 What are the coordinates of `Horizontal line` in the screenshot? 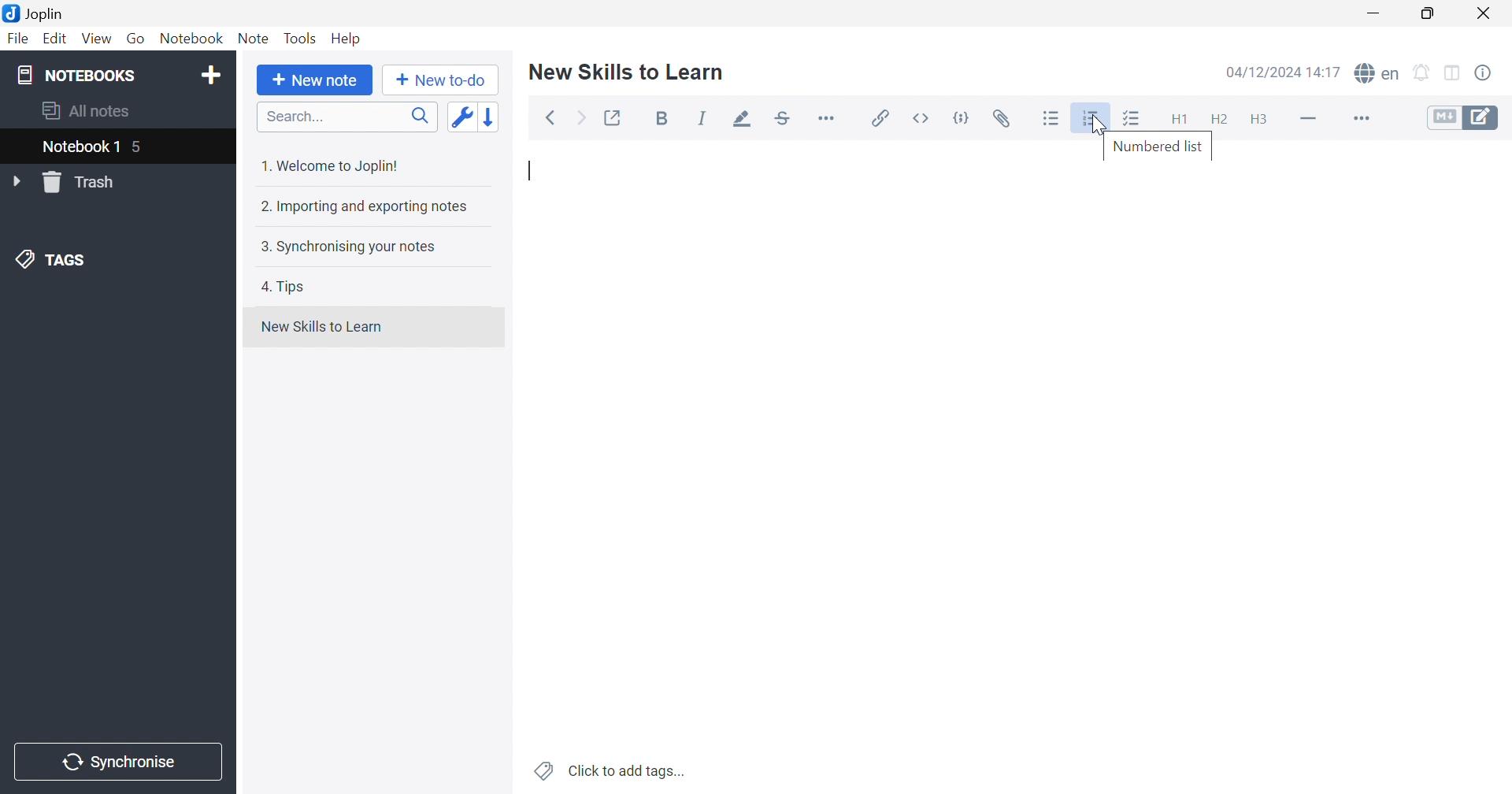 It's located at (1310, 117).